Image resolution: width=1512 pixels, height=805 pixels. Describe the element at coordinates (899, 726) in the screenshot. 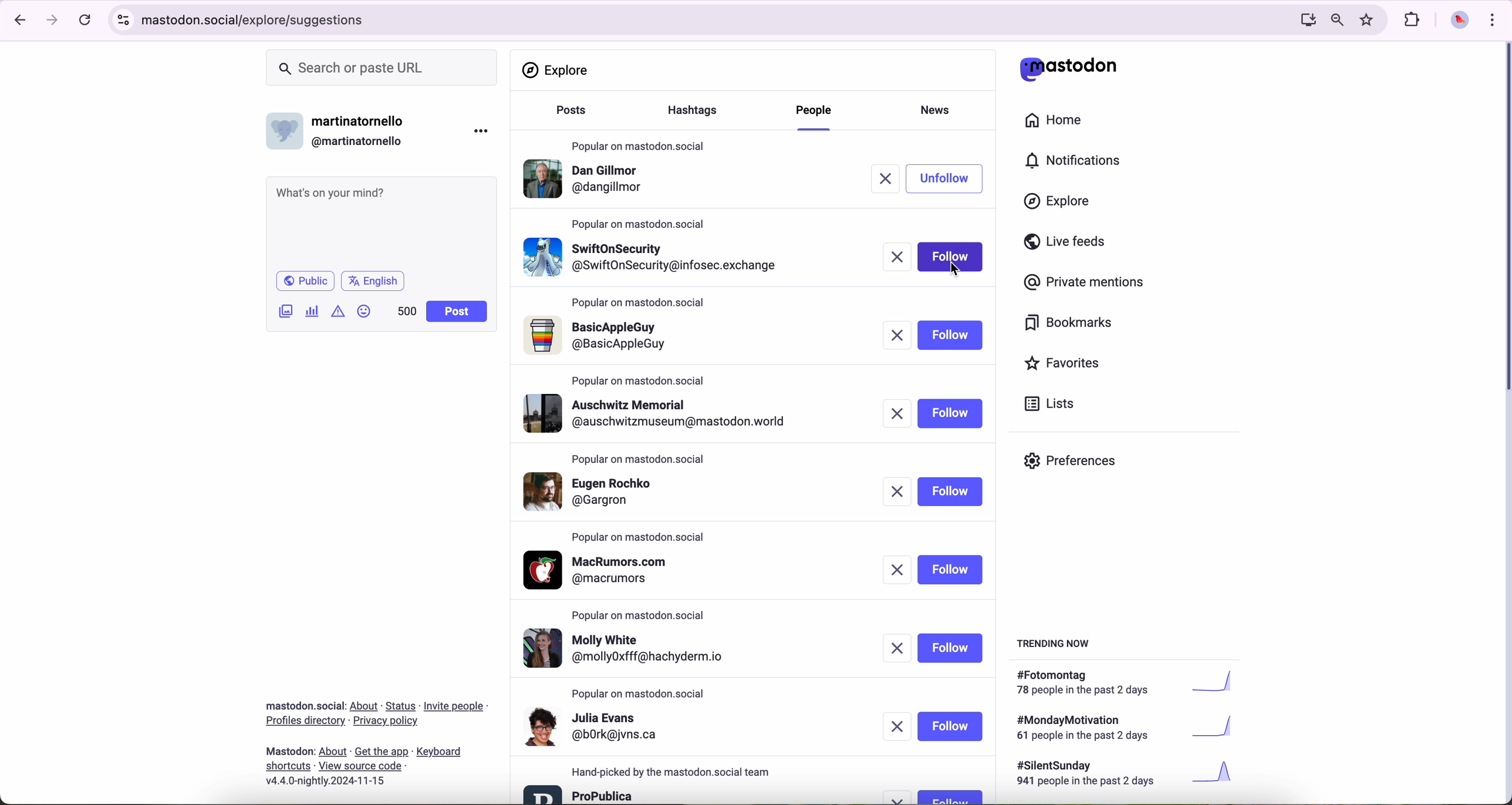

I see `remove` at that location.